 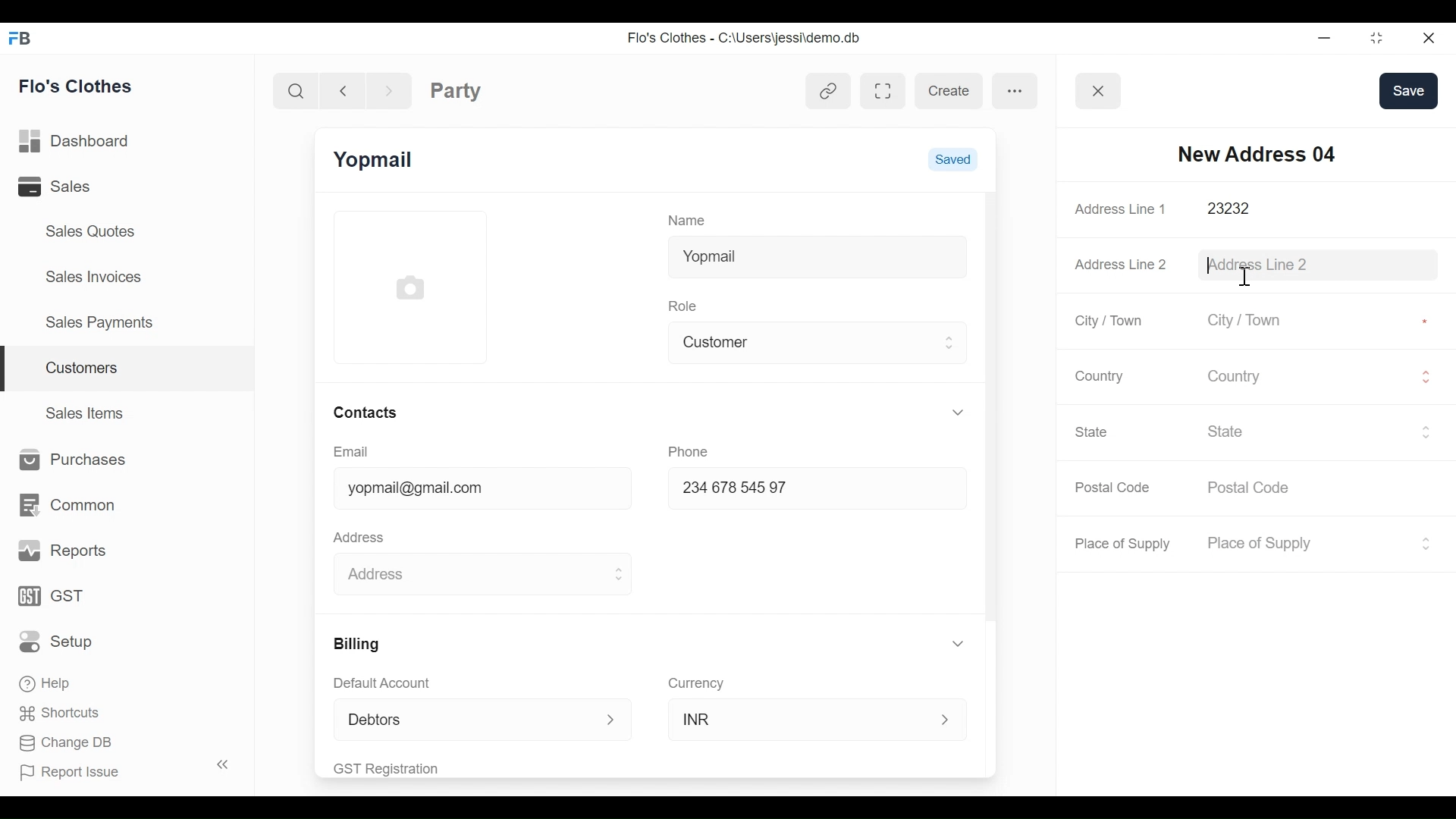 What do you see at coordinates (693, 450) in the screenshot?
I see `Phone` at bounding box center [693, 450].